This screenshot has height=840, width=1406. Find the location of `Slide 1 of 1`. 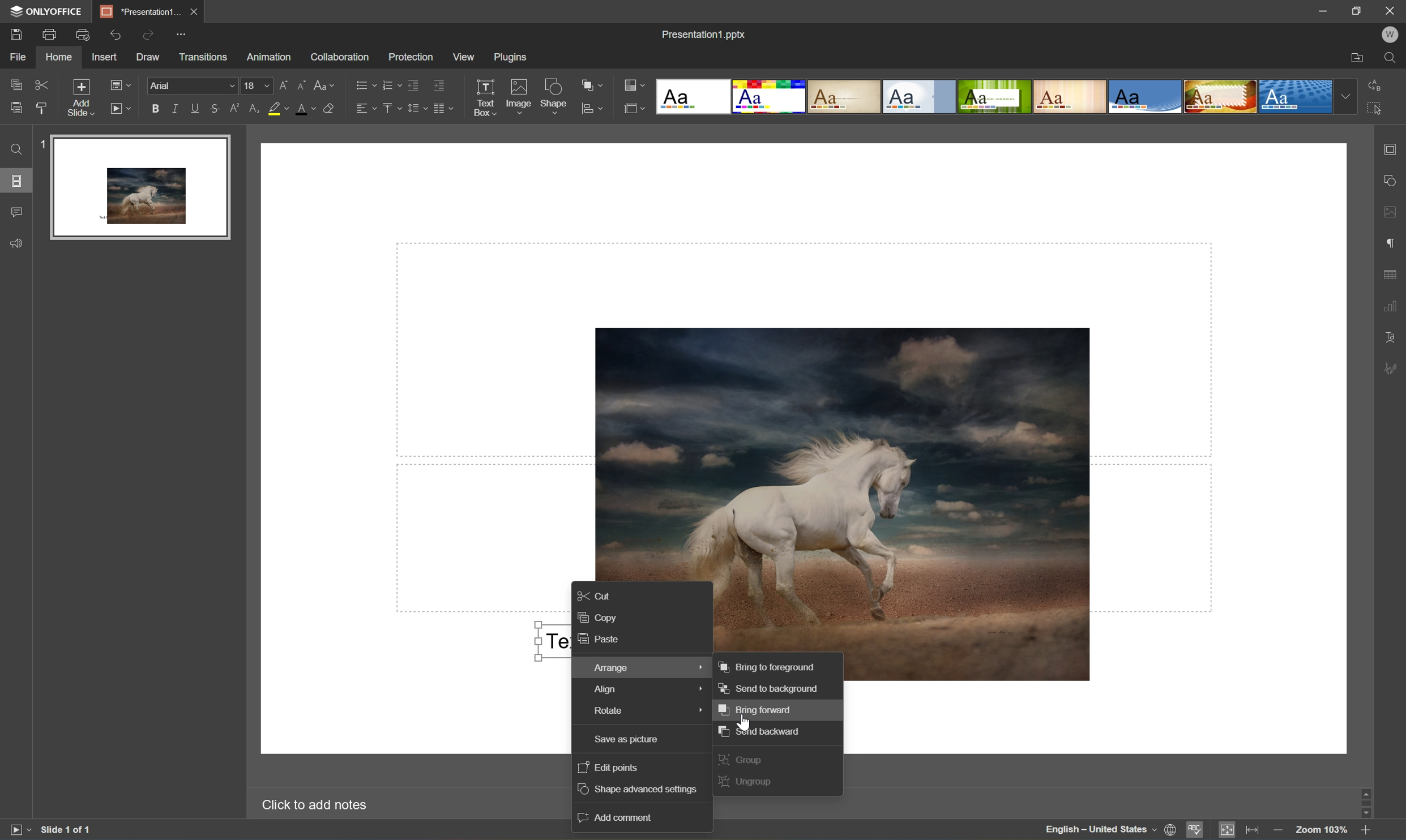

Slide 1 of 1 is located at coordinates (66, 832).